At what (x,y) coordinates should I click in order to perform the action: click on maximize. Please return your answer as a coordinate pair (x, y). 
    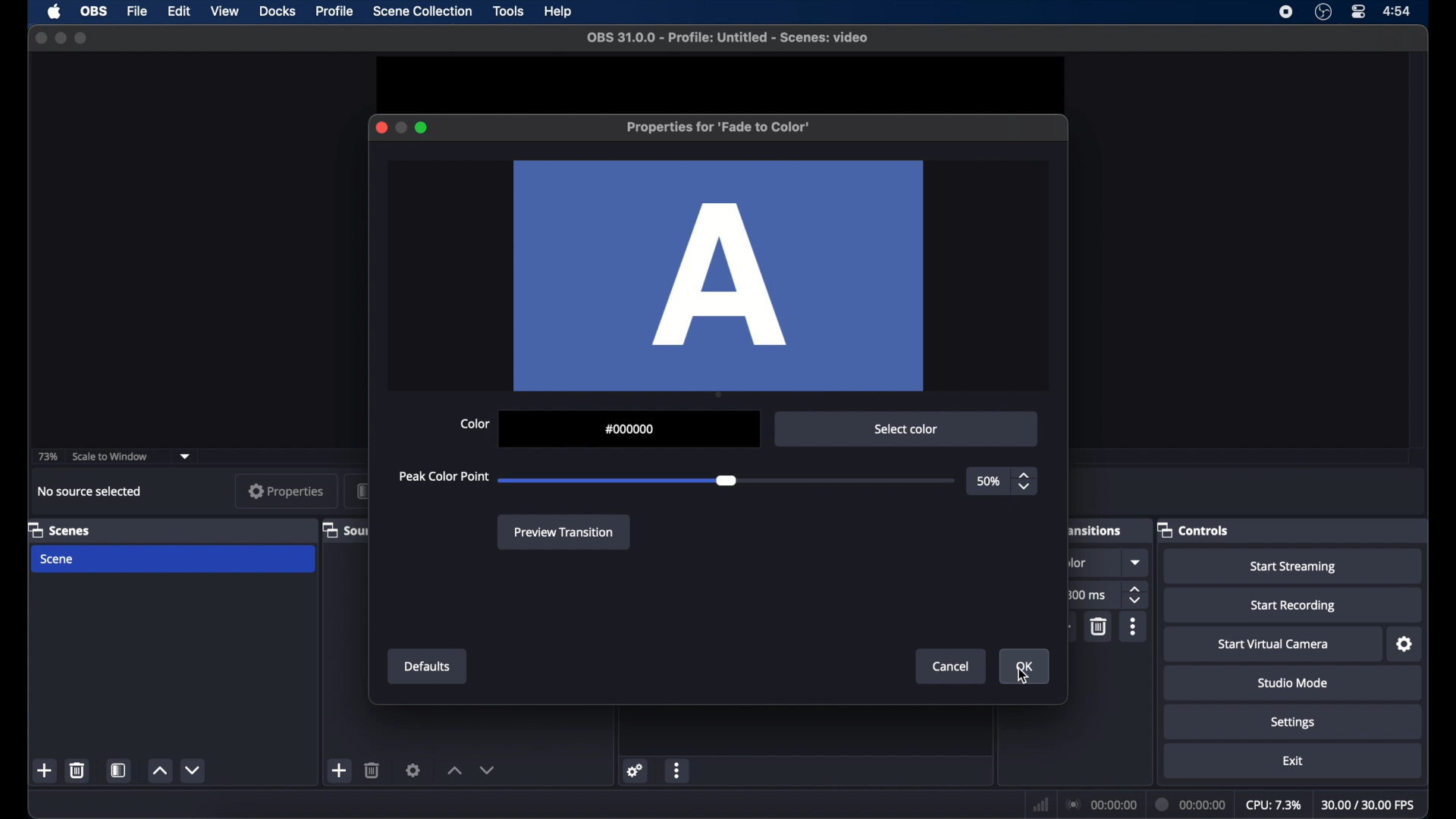
    Looking at the image, I should click on (422, 127).